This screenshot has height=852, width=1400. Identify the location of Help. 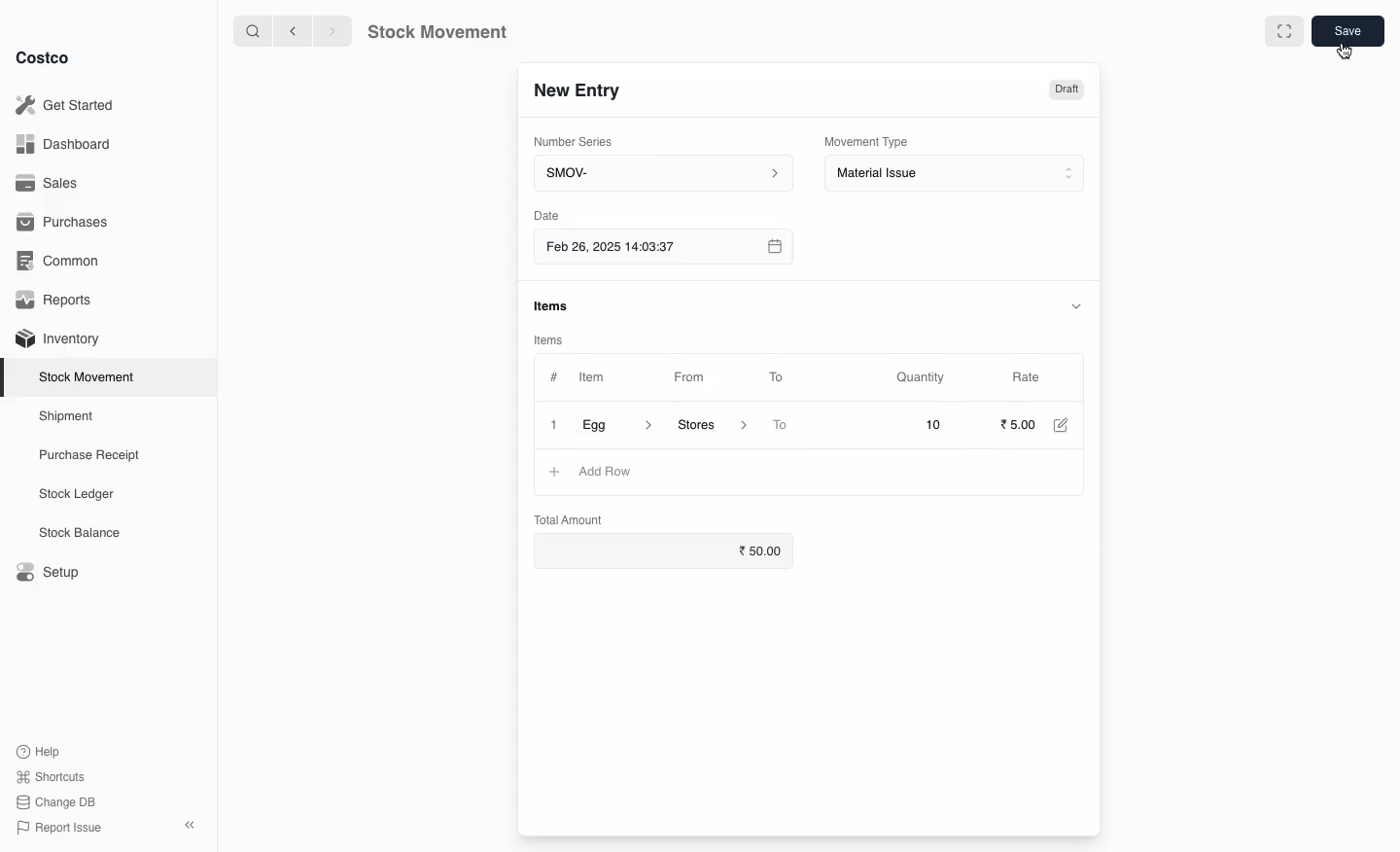
(40, 749).